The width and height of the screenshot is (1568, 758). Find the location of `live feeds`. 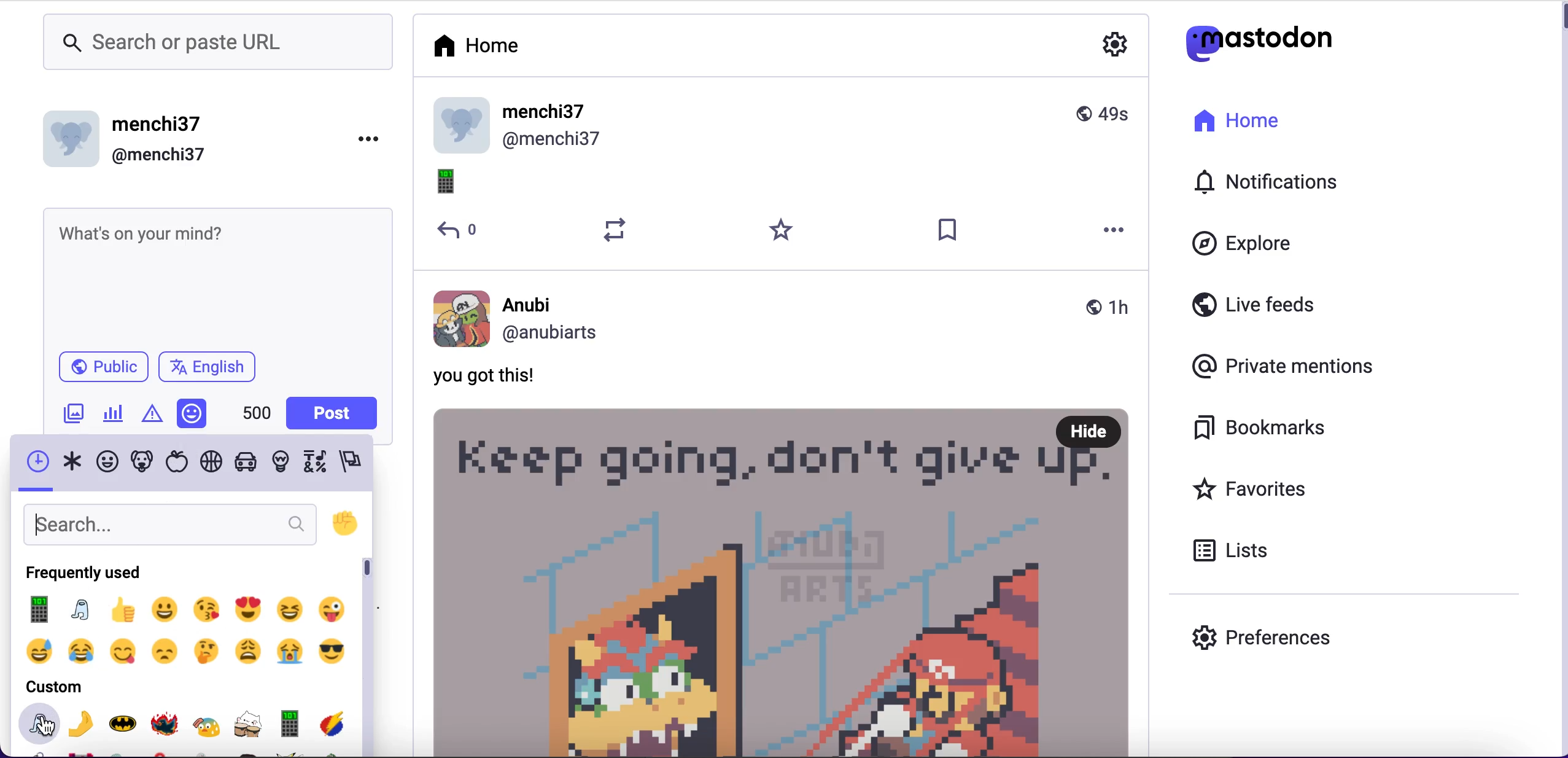

live feeds is located at coordinates (1254, 305).